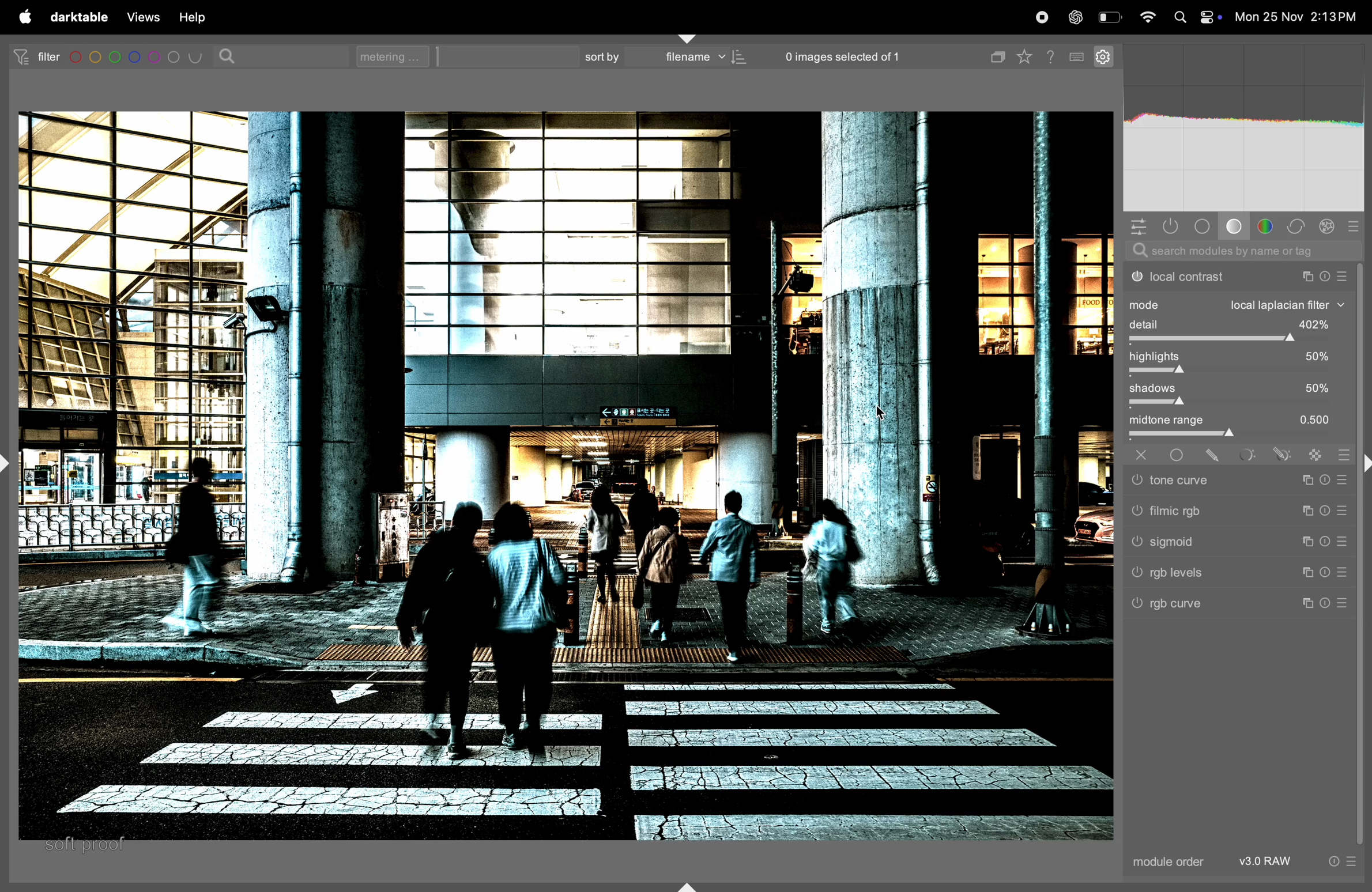 The height and width of the screenshot is (892, 1372). Describe the element at coordinates (10, 462) in the screenshot. I see `shift+ctrl+l` at that location.